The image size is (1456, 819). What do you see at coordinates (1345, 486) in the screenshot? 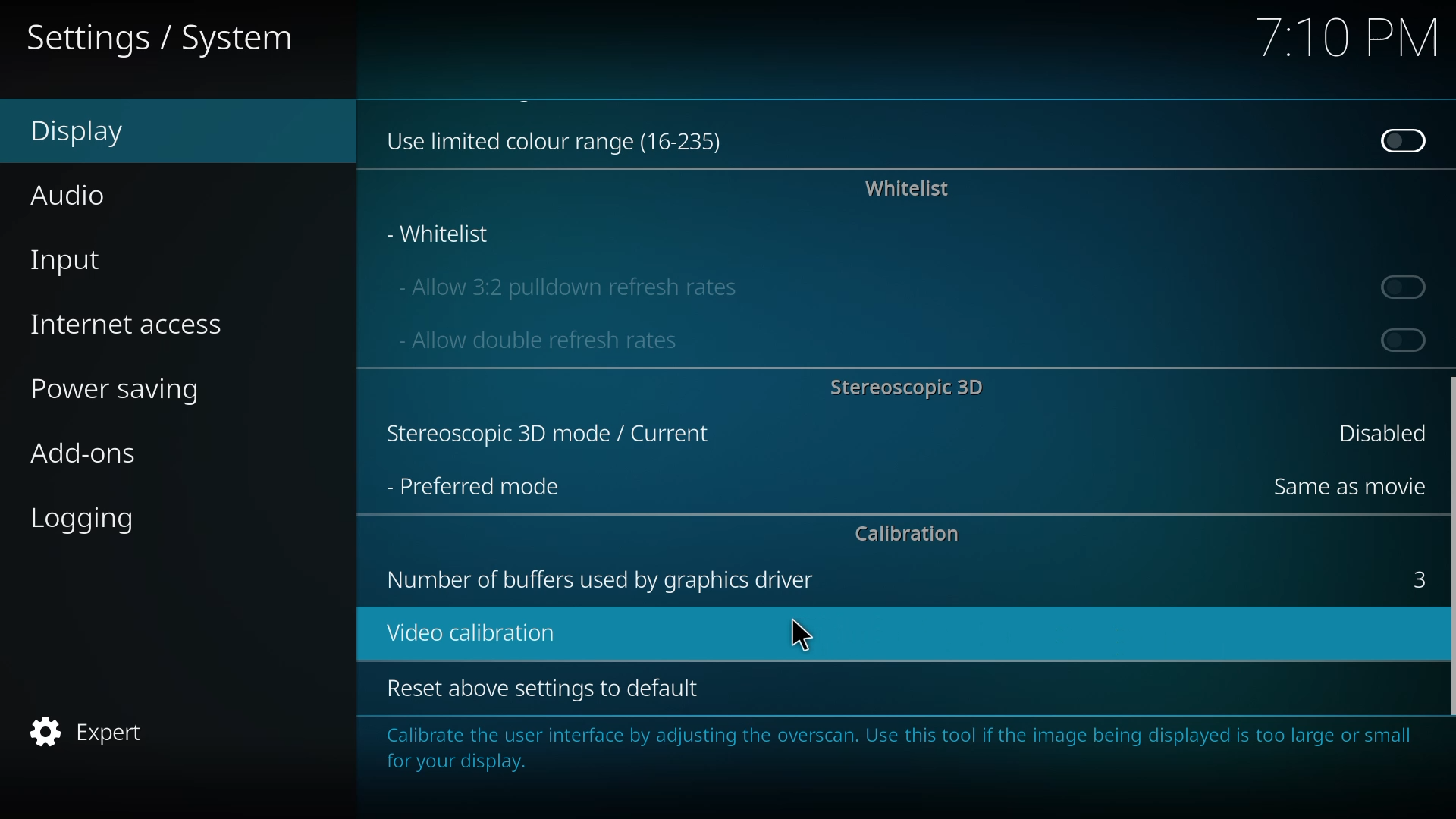
I see `same as movie` at bounding box center [1345, 486].